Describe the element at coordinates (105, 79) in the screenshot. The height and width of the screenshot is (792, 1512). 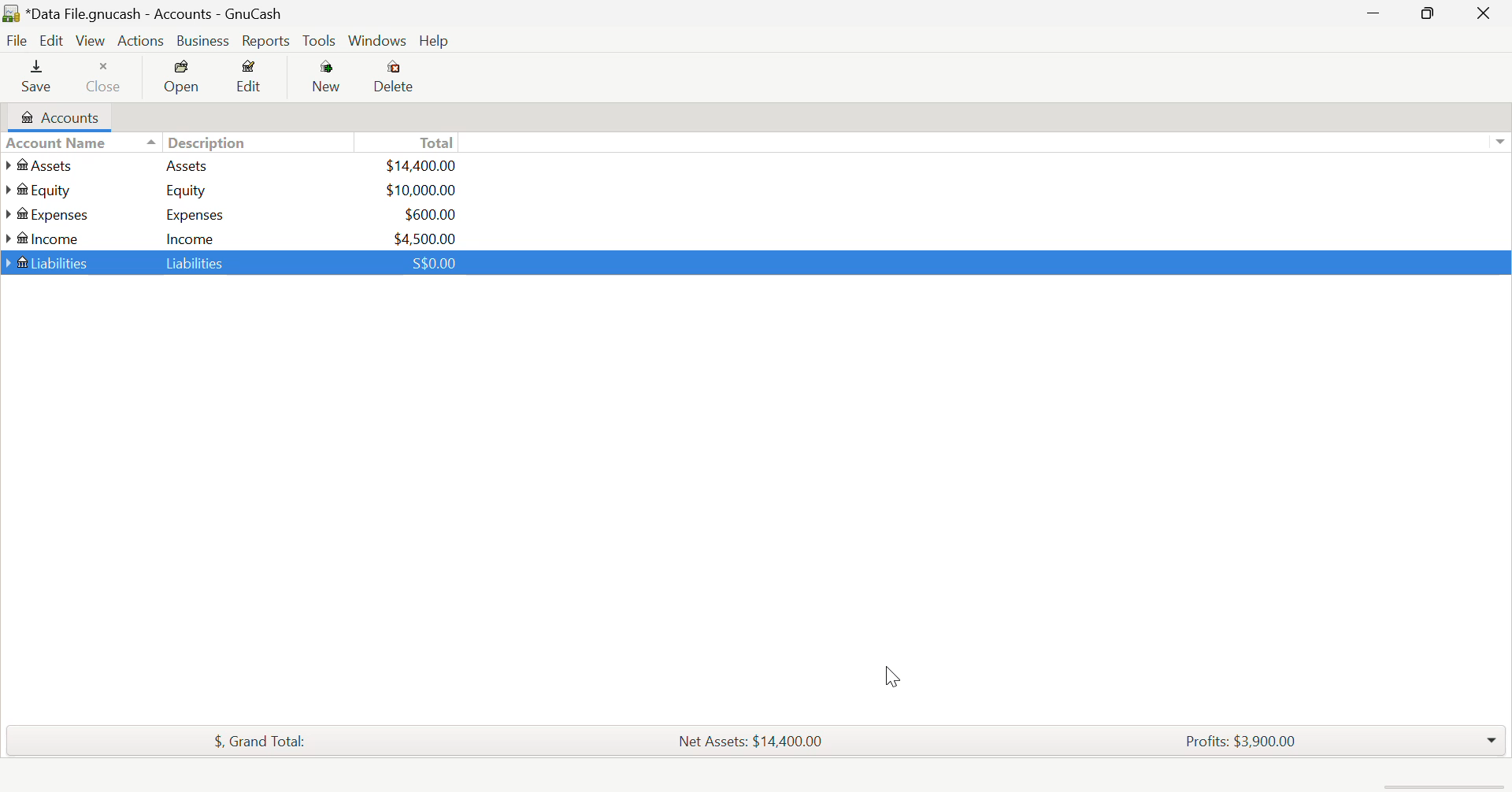
I see `Close` at that location.